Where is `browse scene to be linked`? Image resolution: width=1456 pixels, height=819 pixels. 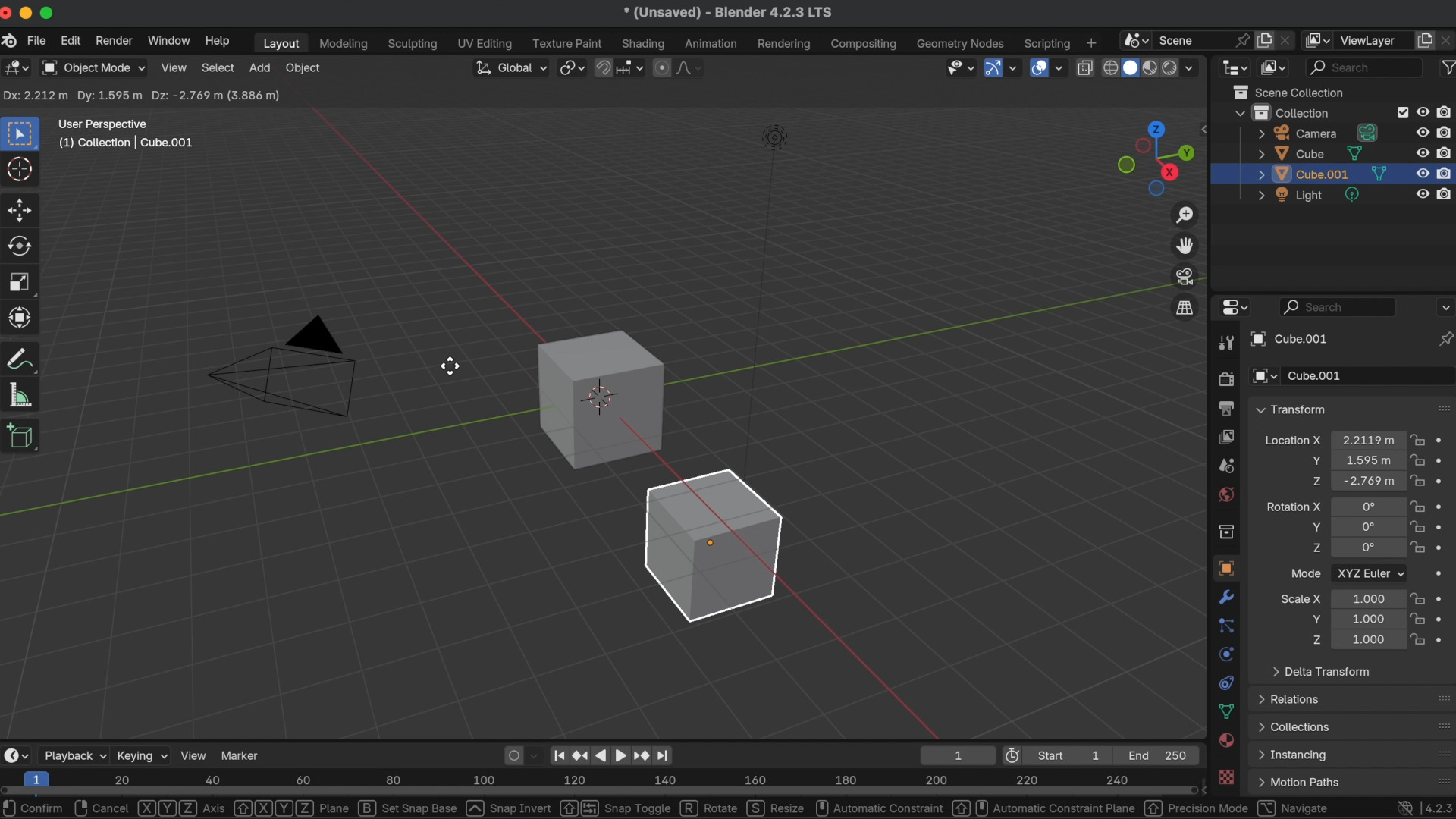 browse scene to be linked is located at coordinates (1134, 39).